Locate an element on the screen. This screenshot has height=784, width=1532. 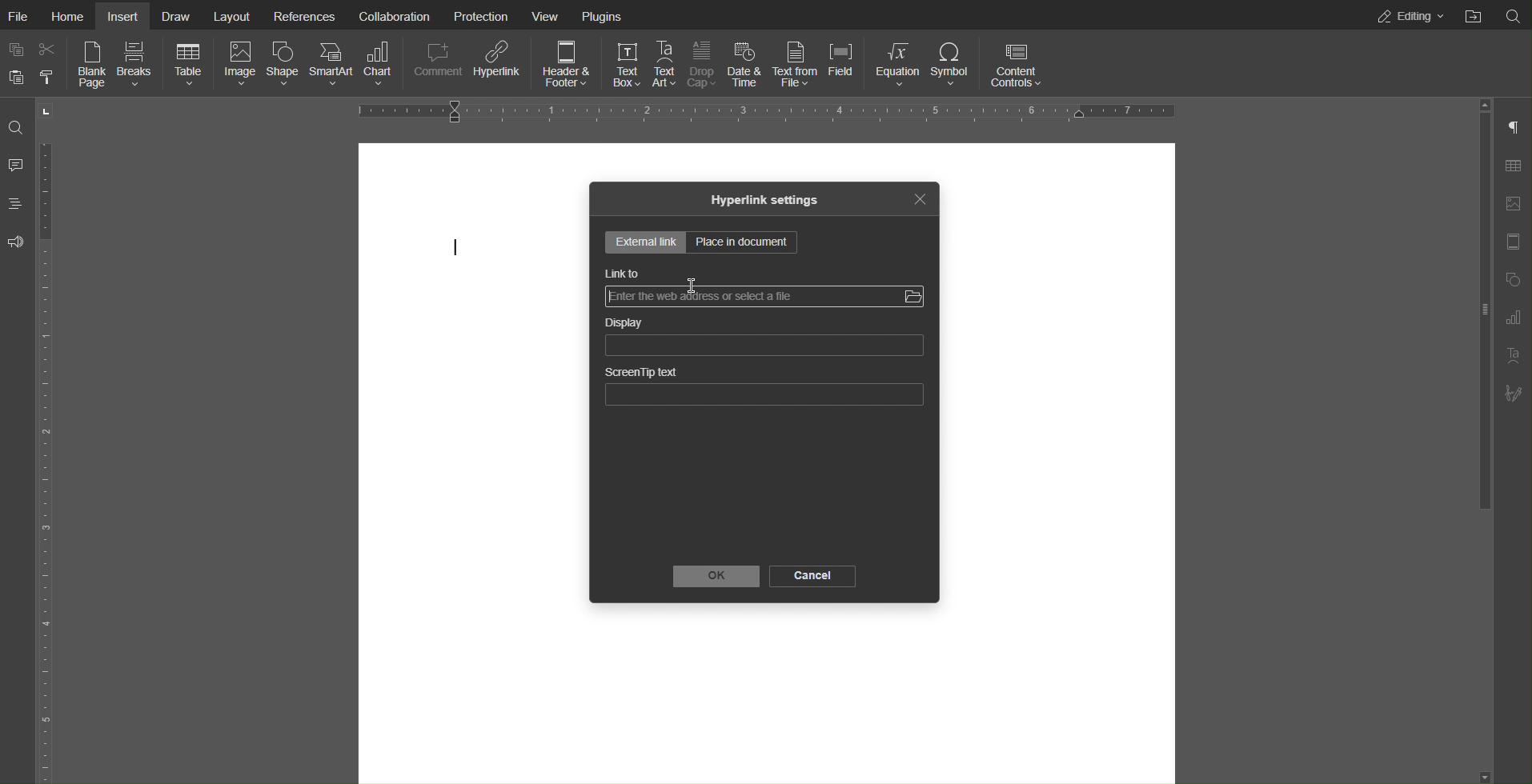
Comment is located at coordinates (435, 64).